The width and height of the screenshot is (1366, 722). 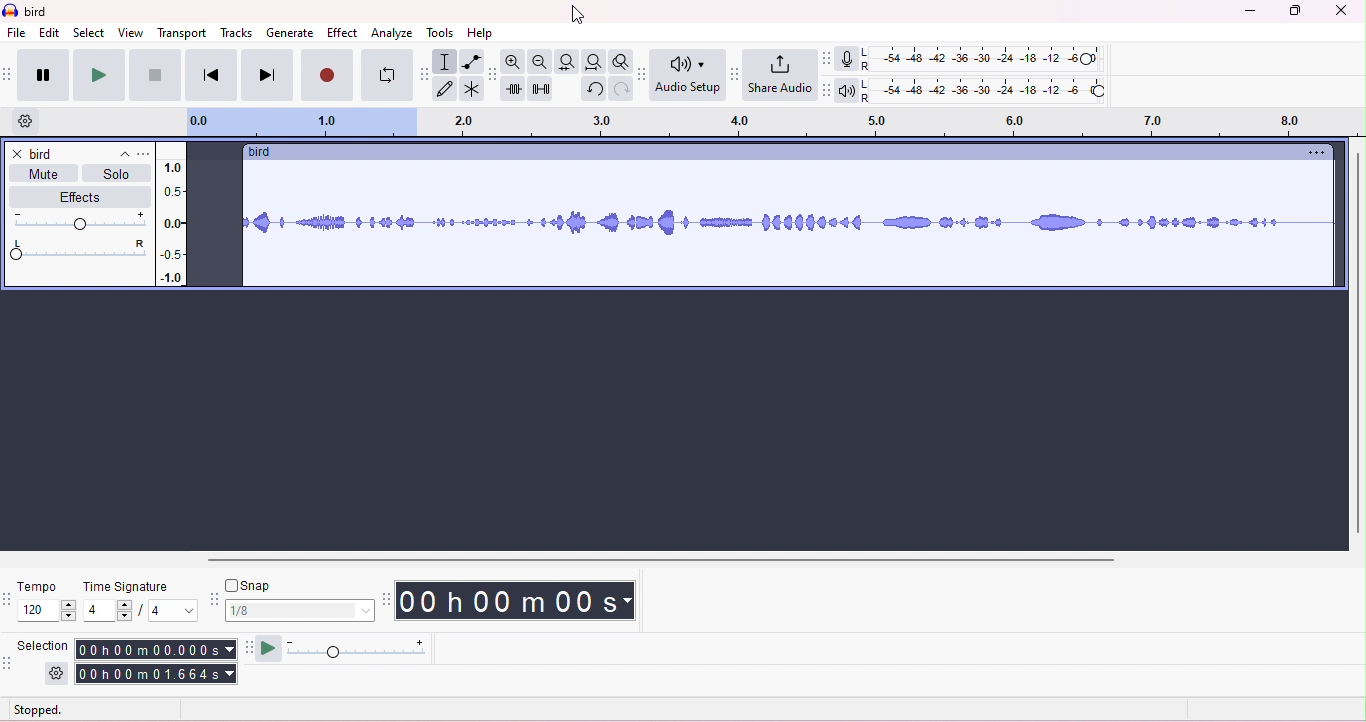 What do you see at coordinates (470, 60) in the screenshot?
I see `envelop` at bounding box center [470, 60].